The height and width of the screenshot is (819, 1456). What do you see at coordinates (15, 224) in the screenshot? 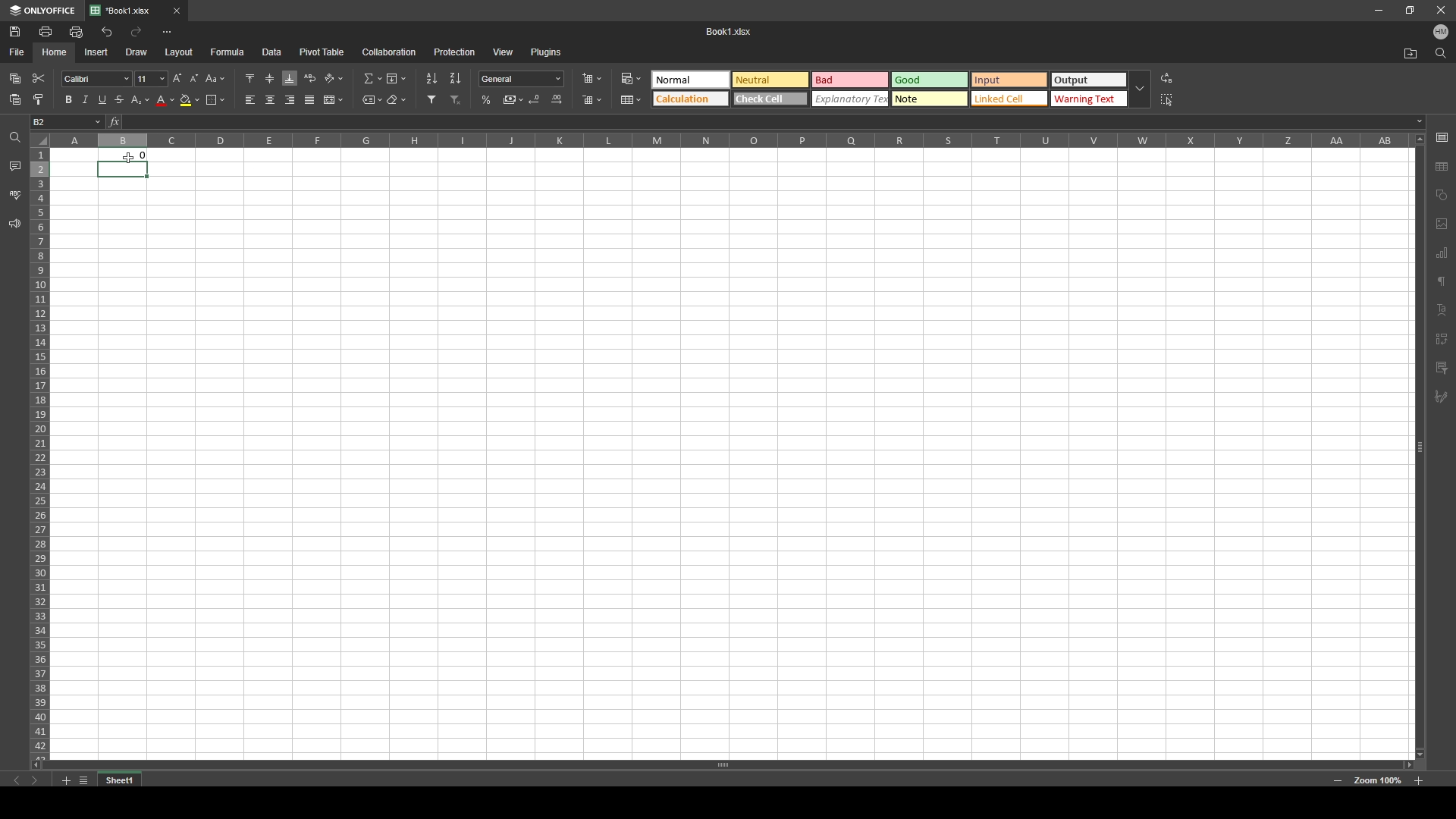
I see `feedback` at bounding box center [15, 224].